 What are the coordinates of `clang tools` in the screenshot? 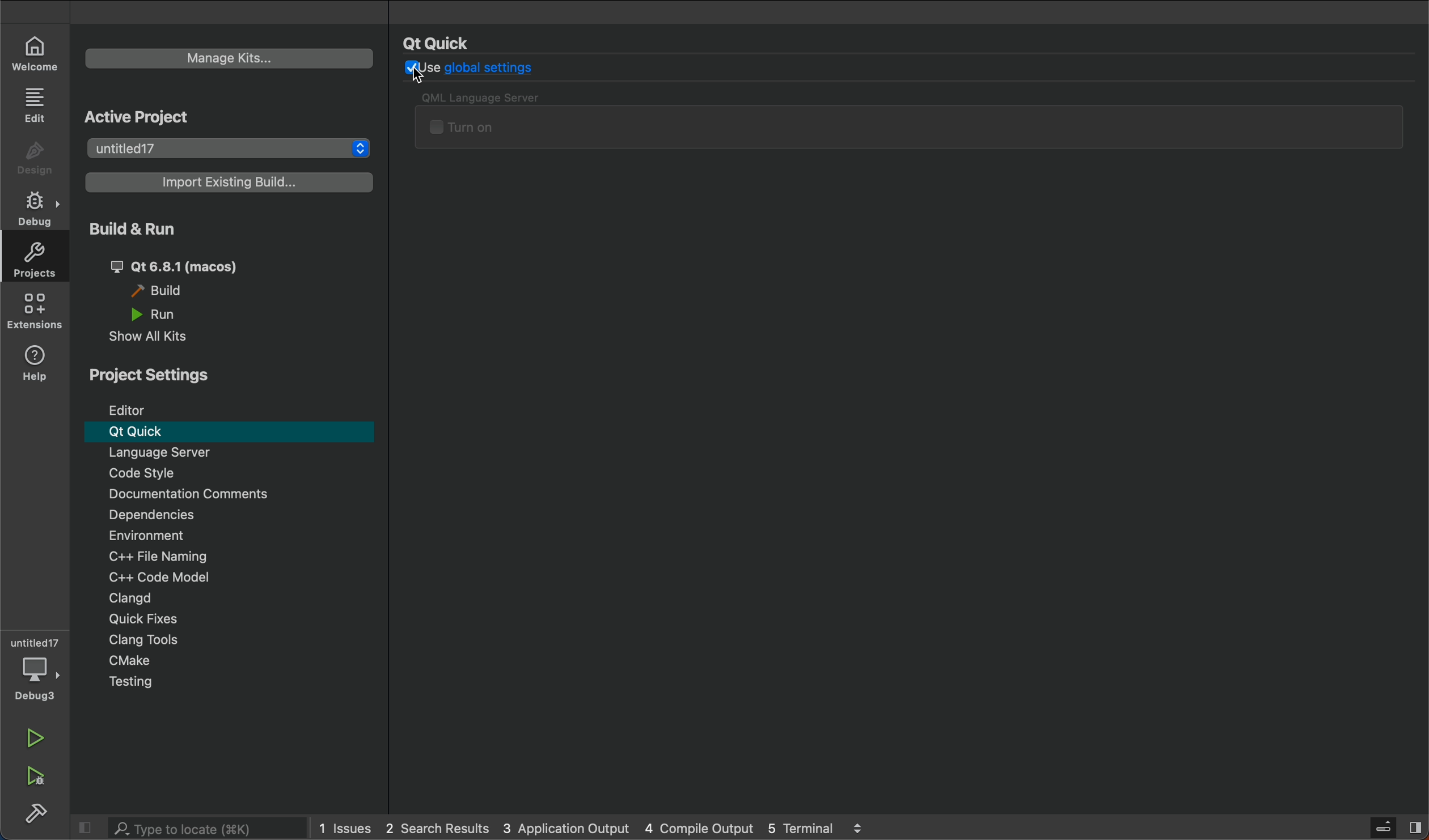 It's located at (236, 639).